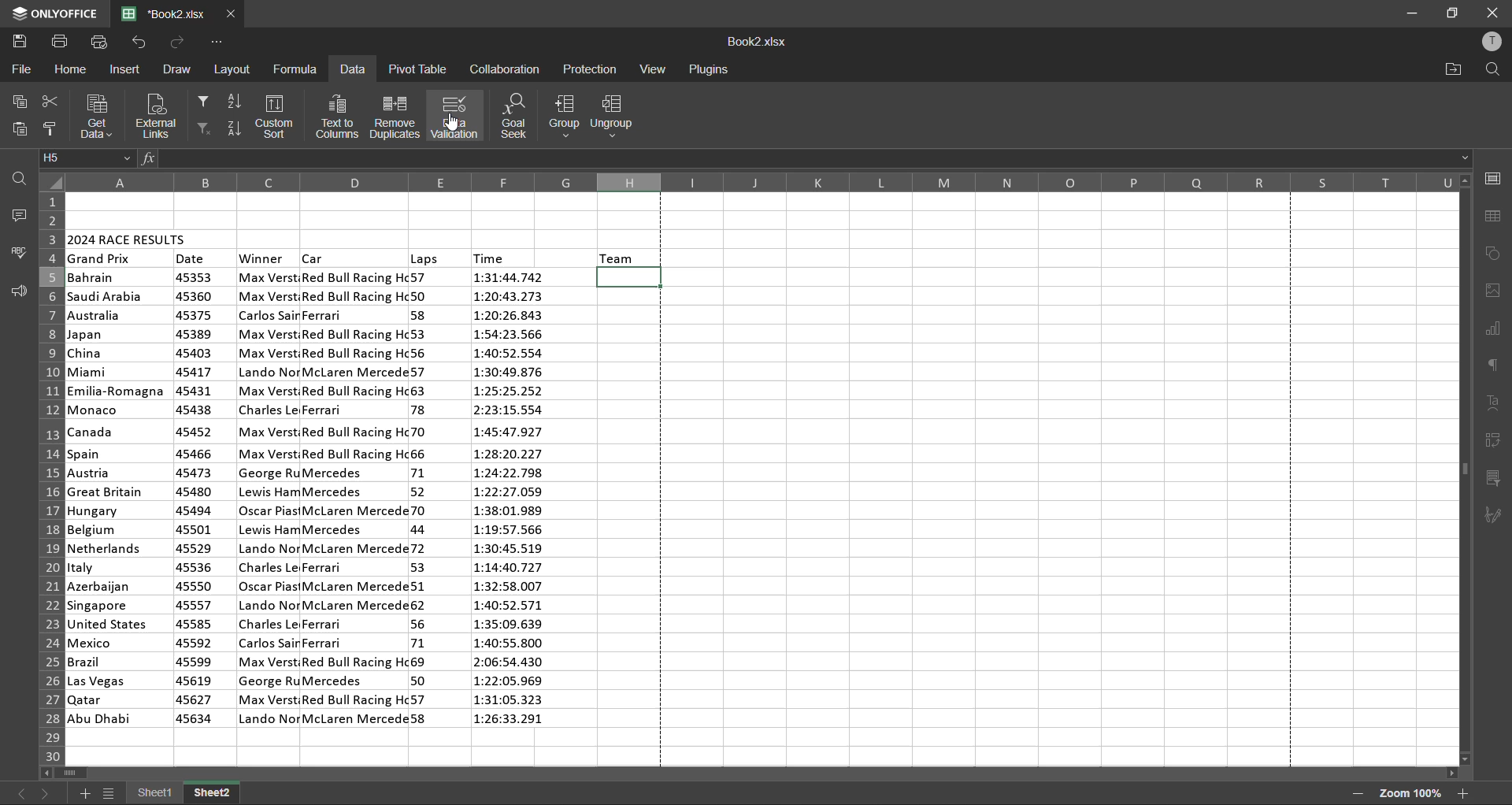 This screenshot has width=1512, height=805. Describe the element at coordinates (95, 116) in the screenshot. I see `get data` at that location.